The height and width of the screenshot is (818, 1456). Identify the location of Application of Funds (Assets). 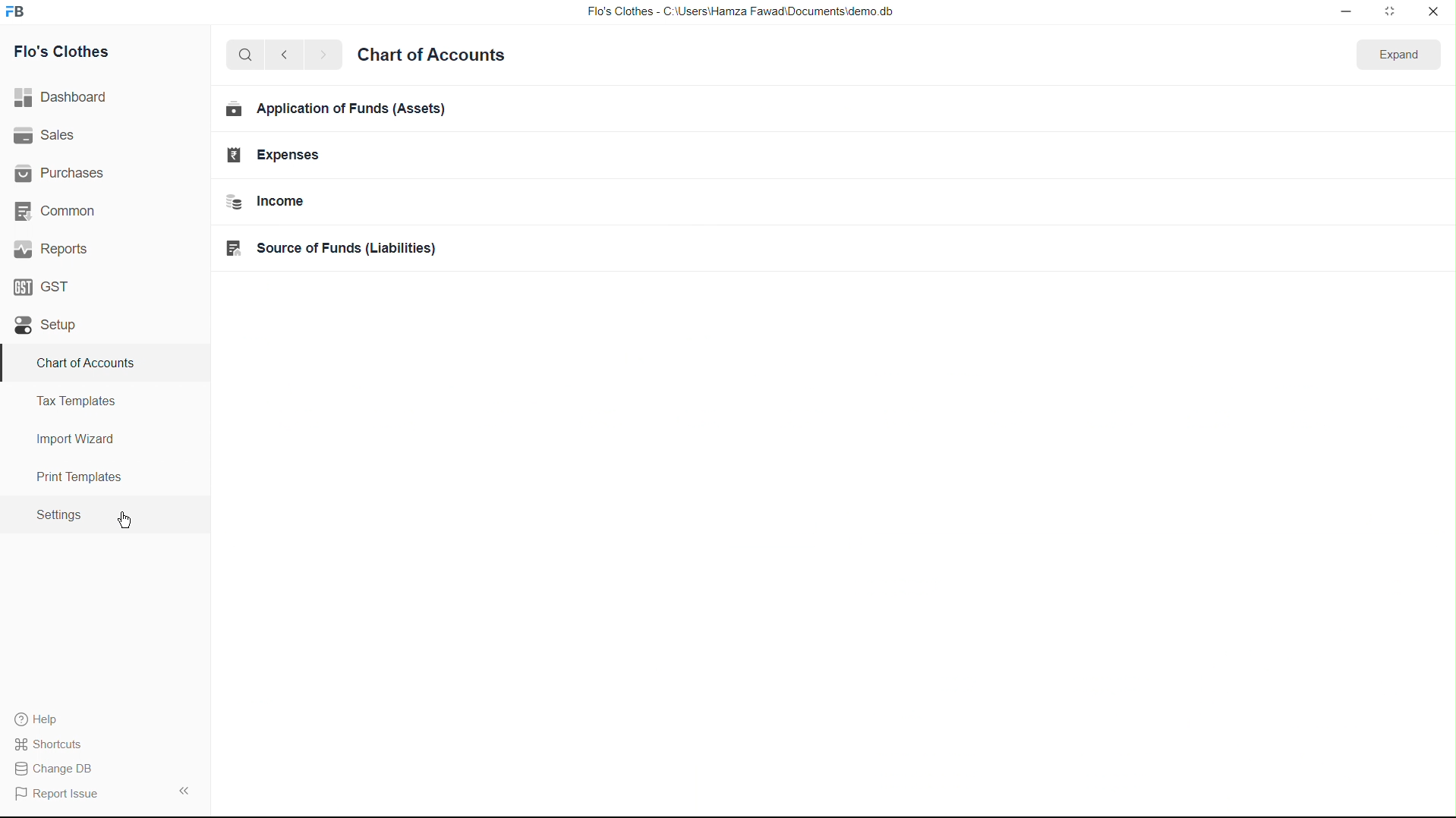
(336, 110).